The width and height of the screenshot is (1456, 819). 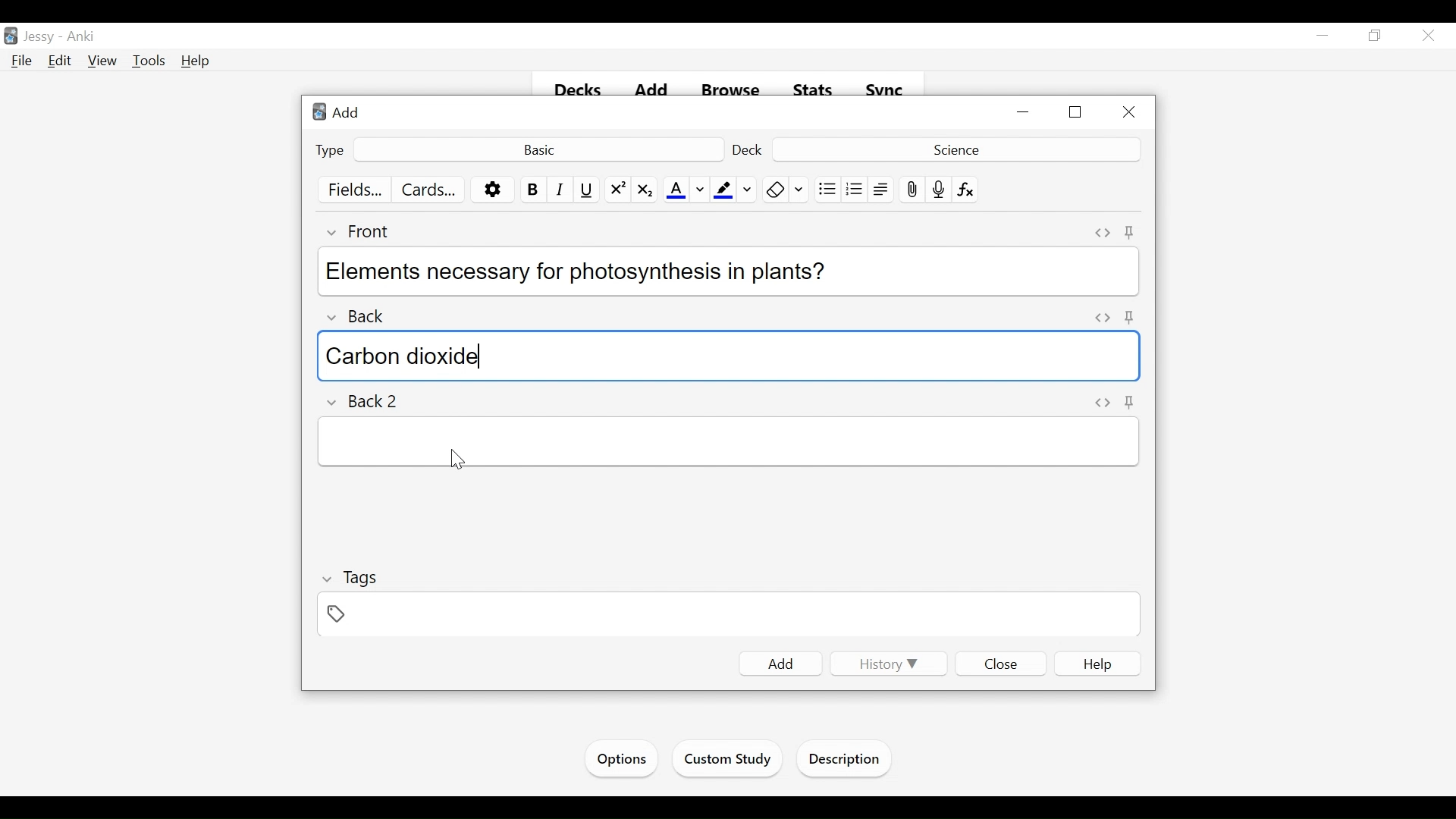 What do you see at coordinates (1323, 36) in the screenshot?
I see `minimize` at bounding box center [1323, 36].